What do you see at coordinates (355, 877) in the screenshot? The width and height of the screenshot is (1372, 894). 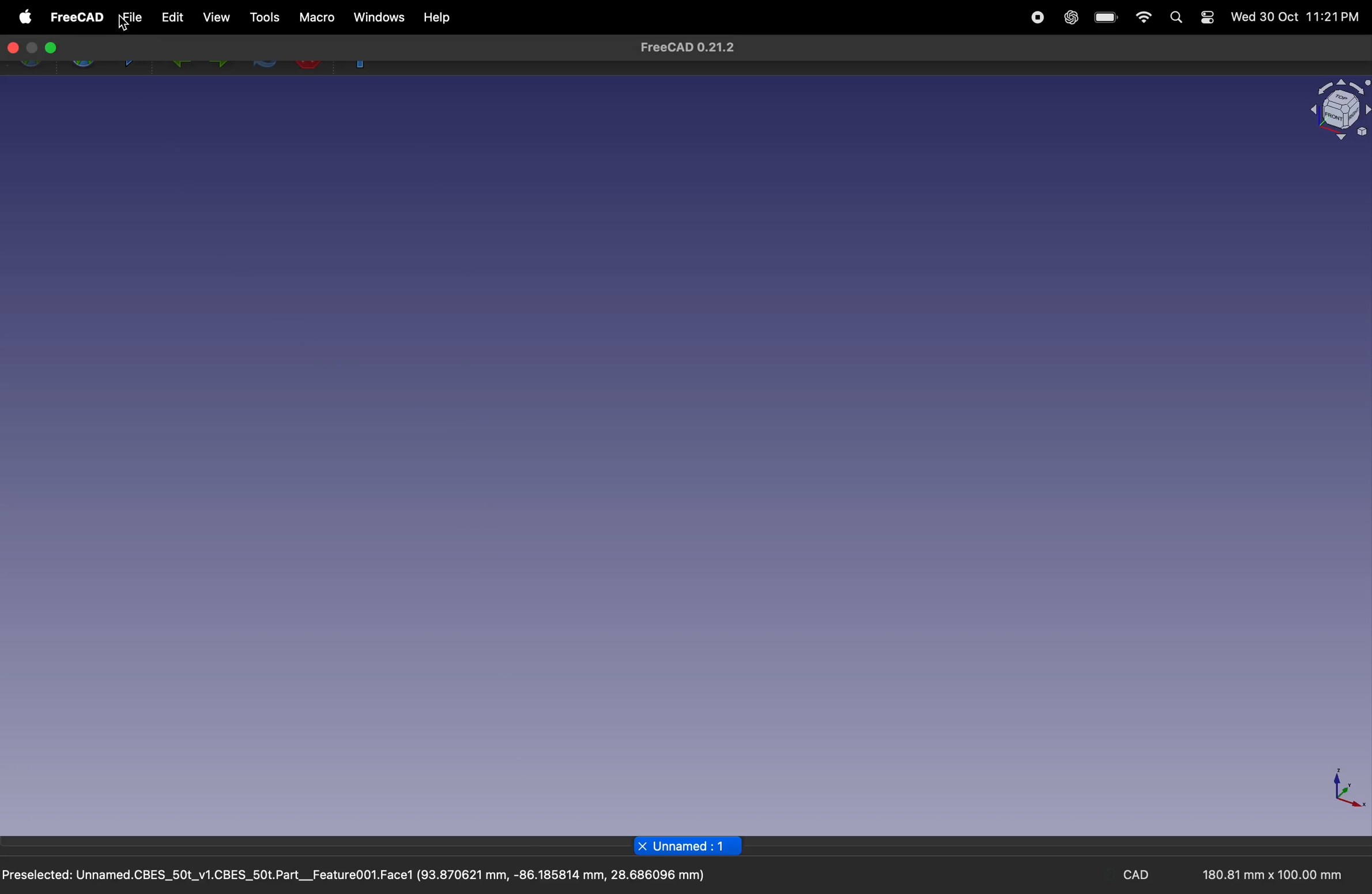 I see `Preselected: Unnamed.CBES_50t_v1.CBES_50t.Part__Feature001.Face1 (93.870621 mm, -86.185814 mm, 28.686096 mm)` at bounding box center [355, 877].